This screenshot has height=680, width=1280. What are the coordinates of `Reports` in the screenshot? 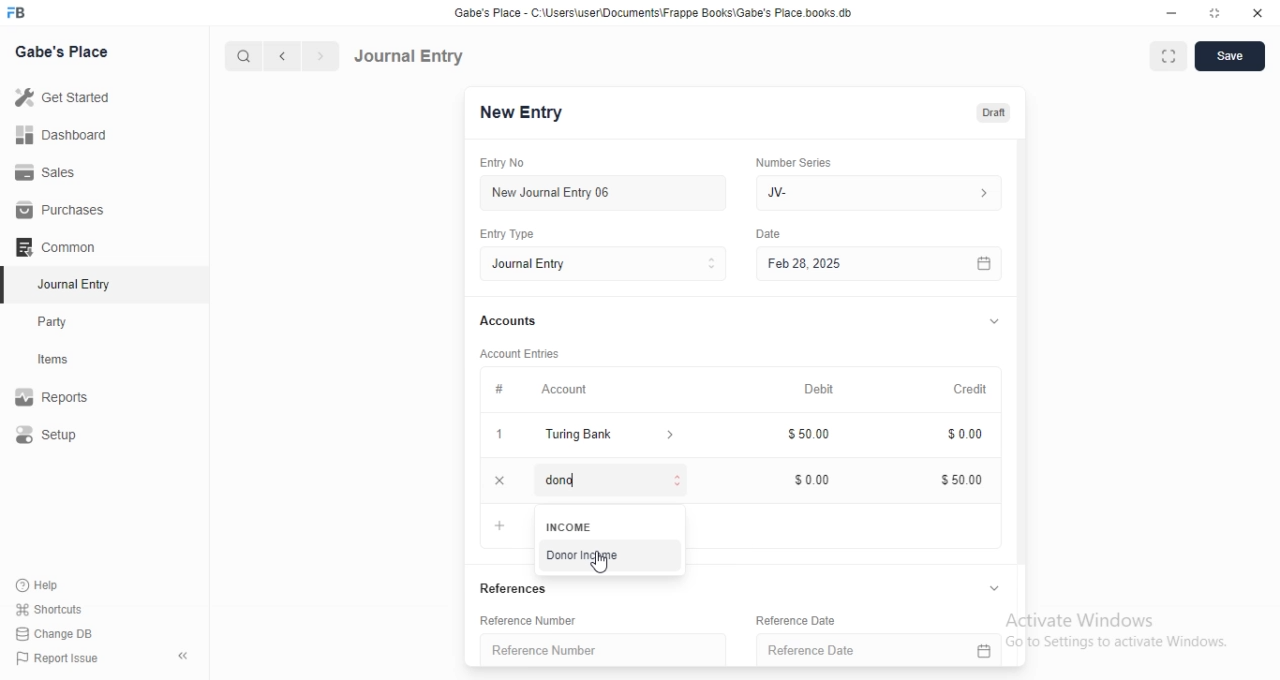 It's located at (65, 399).